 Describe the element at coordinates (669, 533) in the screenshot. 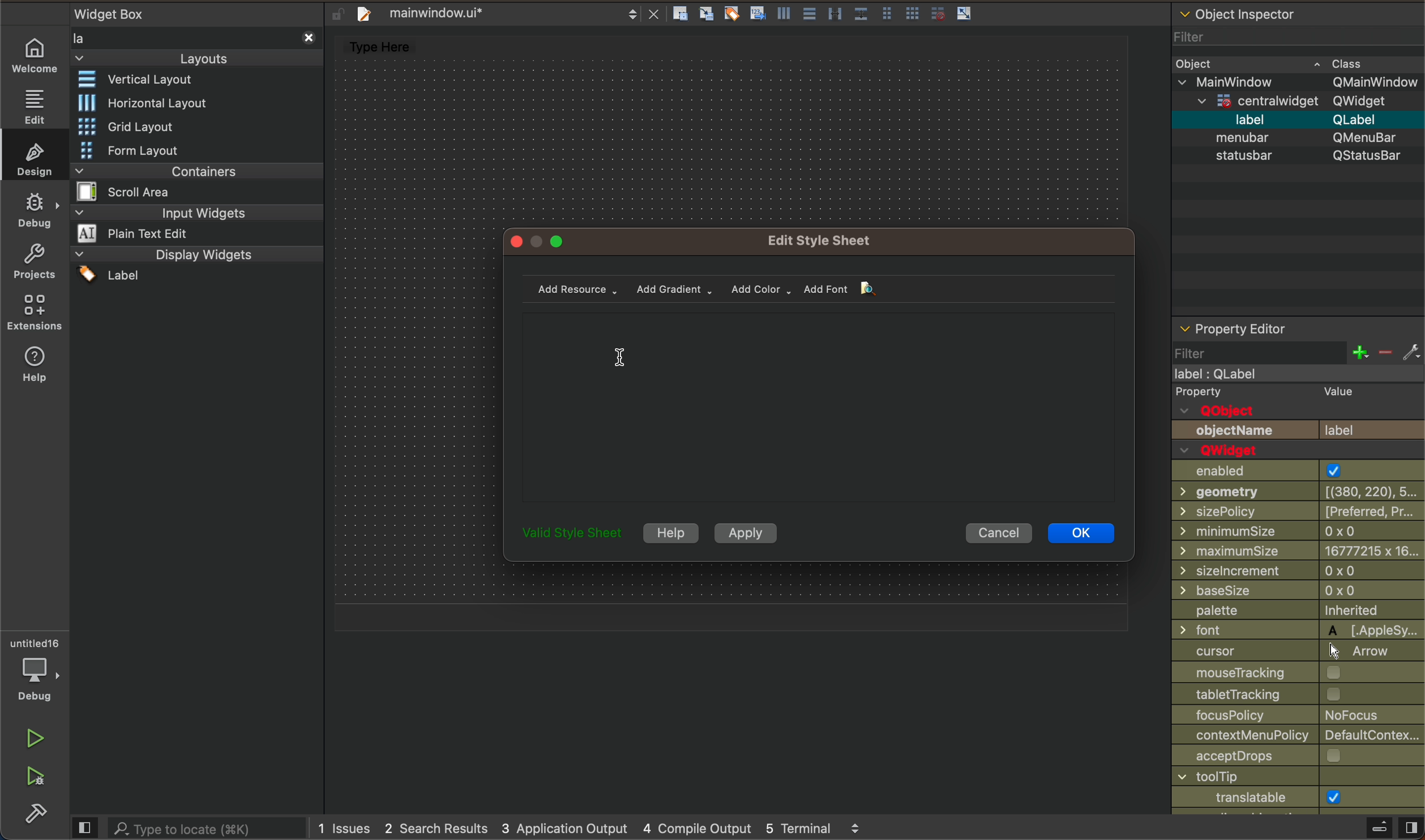

I see `help` at that location.